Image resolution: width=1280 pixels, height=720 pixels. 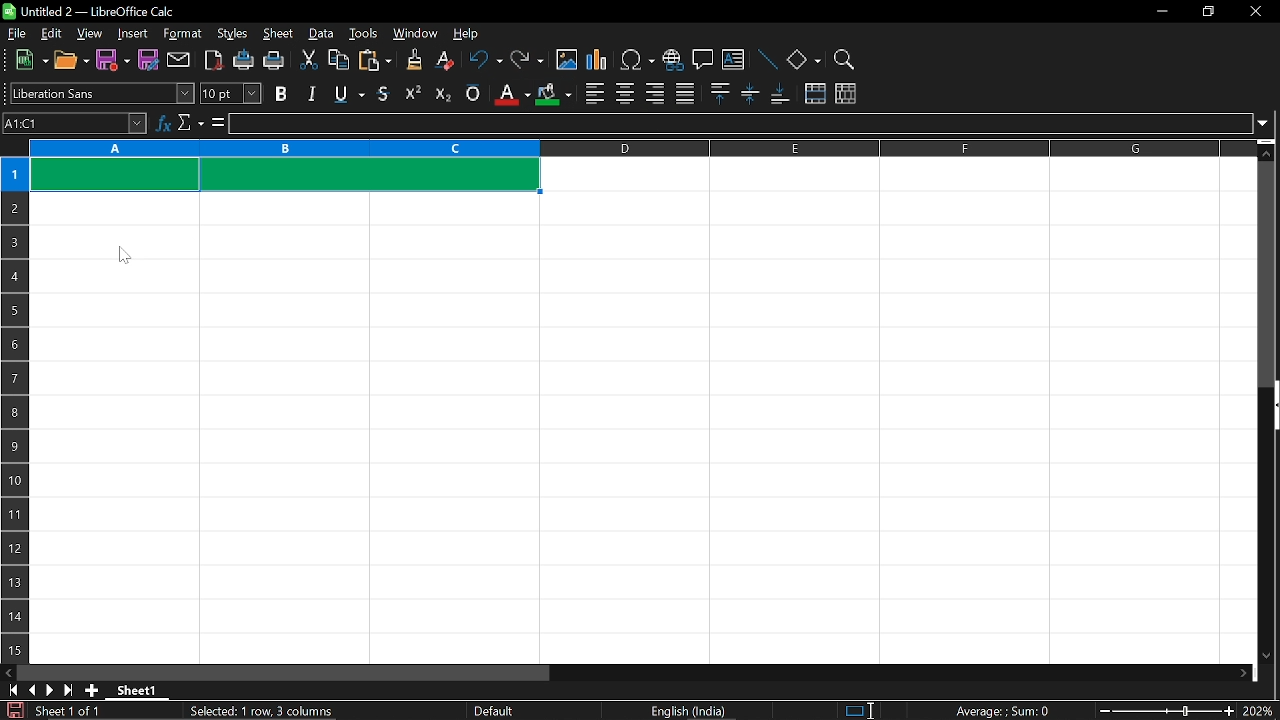 What do you see at coordinates (566, 61) in the screenshot?
I see `insert image` at bounding box center [566, 61].